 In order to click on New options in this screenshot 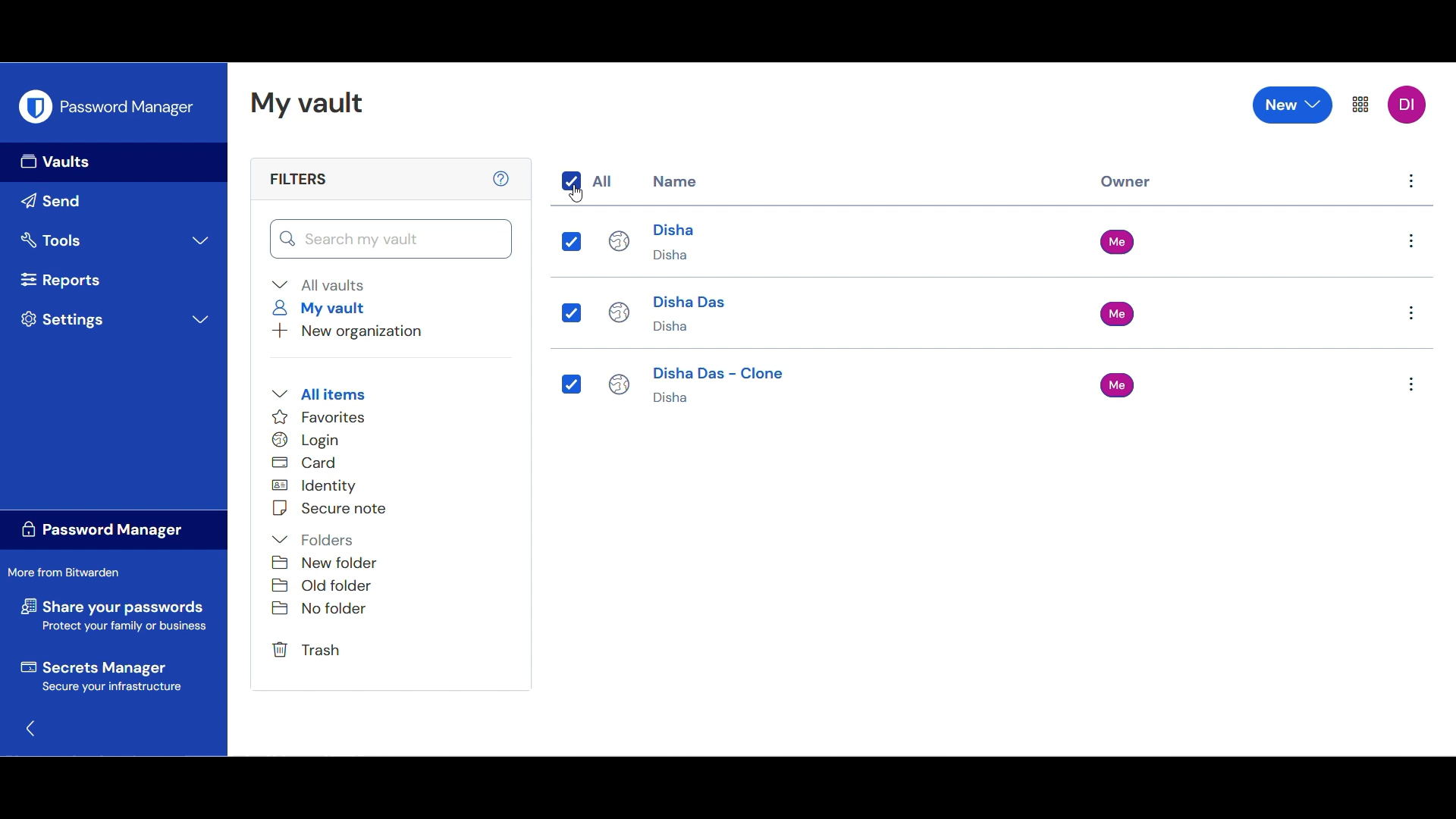, I will do `click(1293, 105)`.